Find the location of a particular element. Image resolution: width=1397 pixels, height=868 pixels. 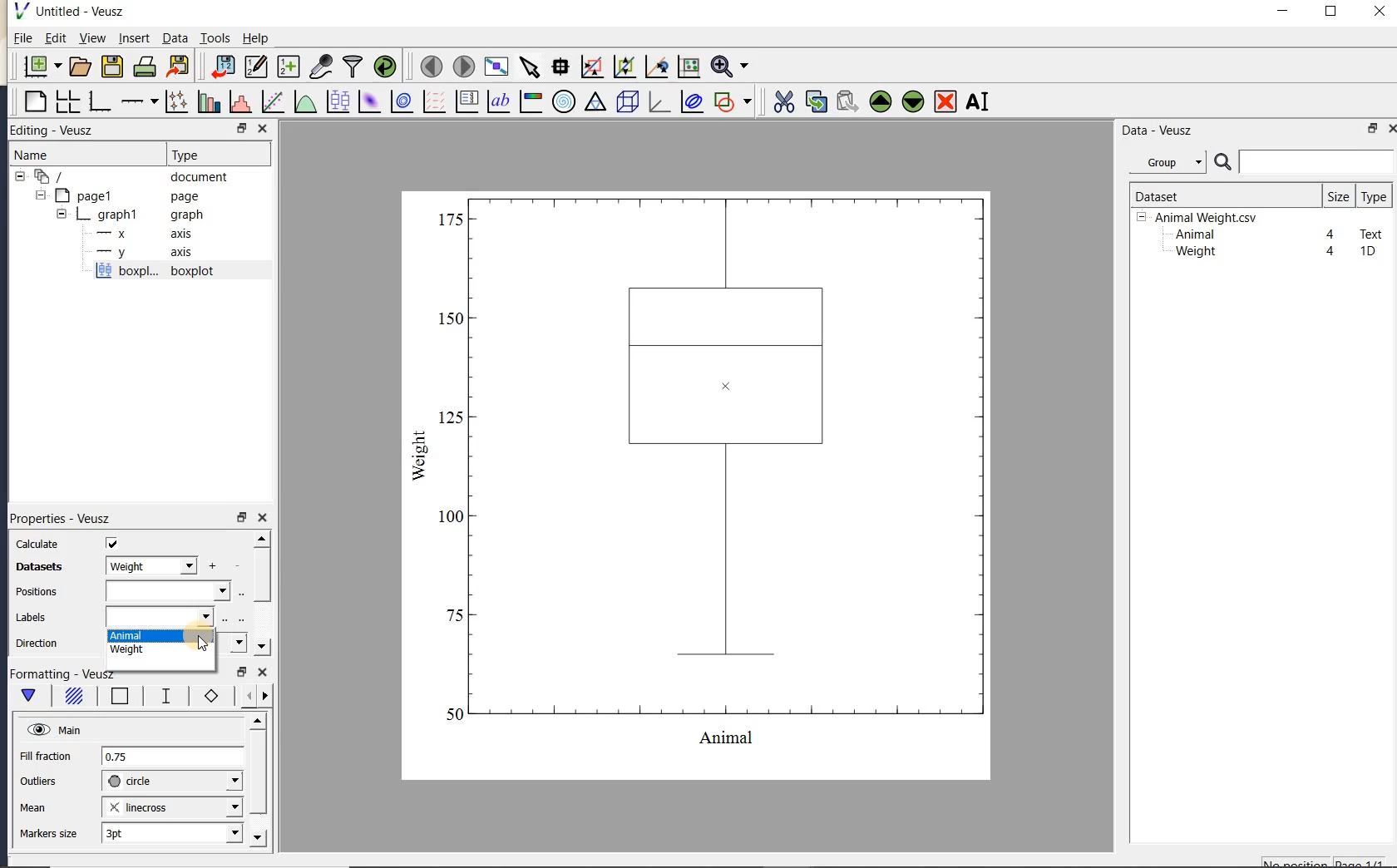

copy the selected widget is located at coordinates (814, 101).